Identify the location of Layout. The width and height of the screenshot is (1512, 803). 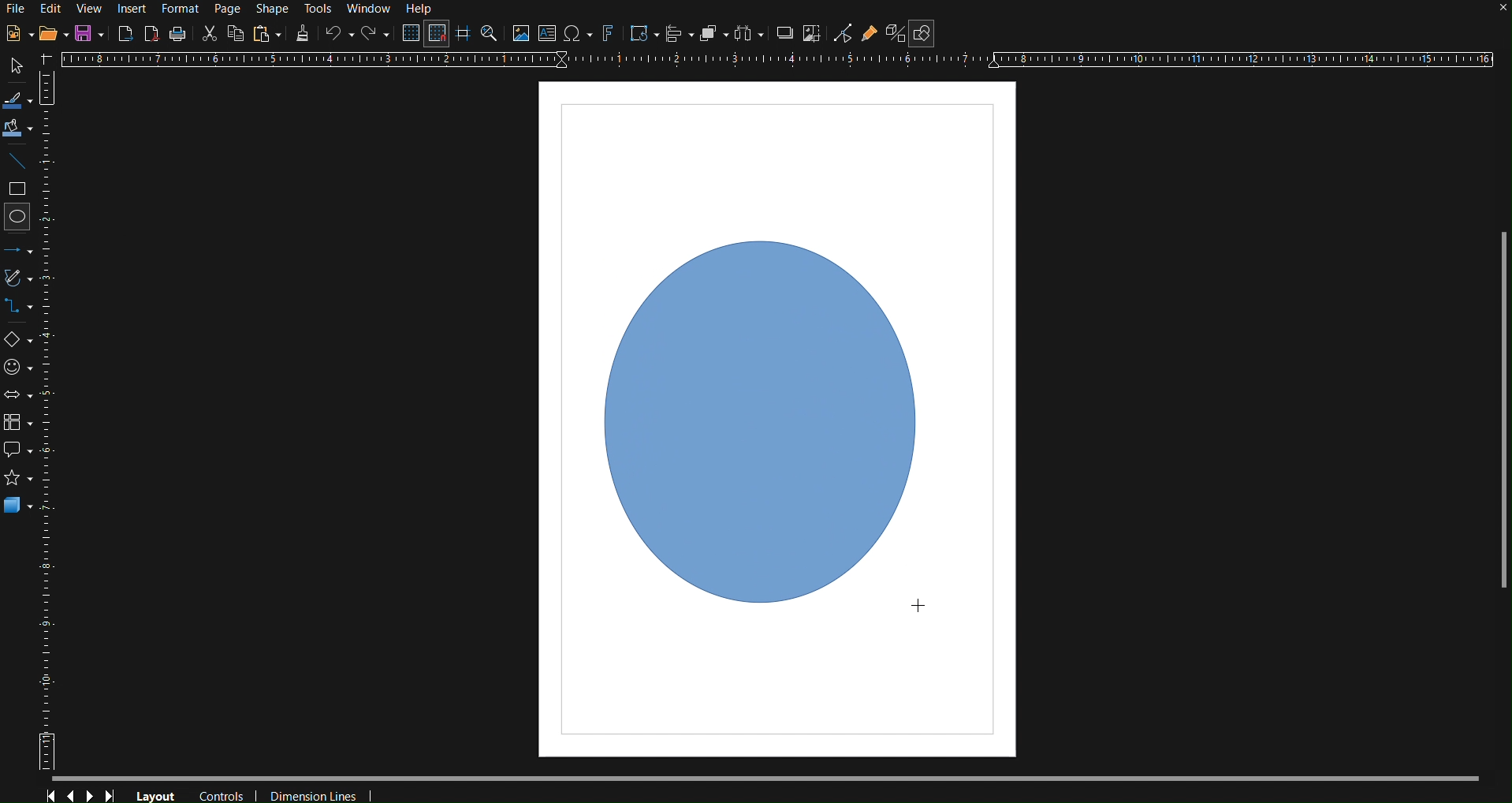
(156, 794).